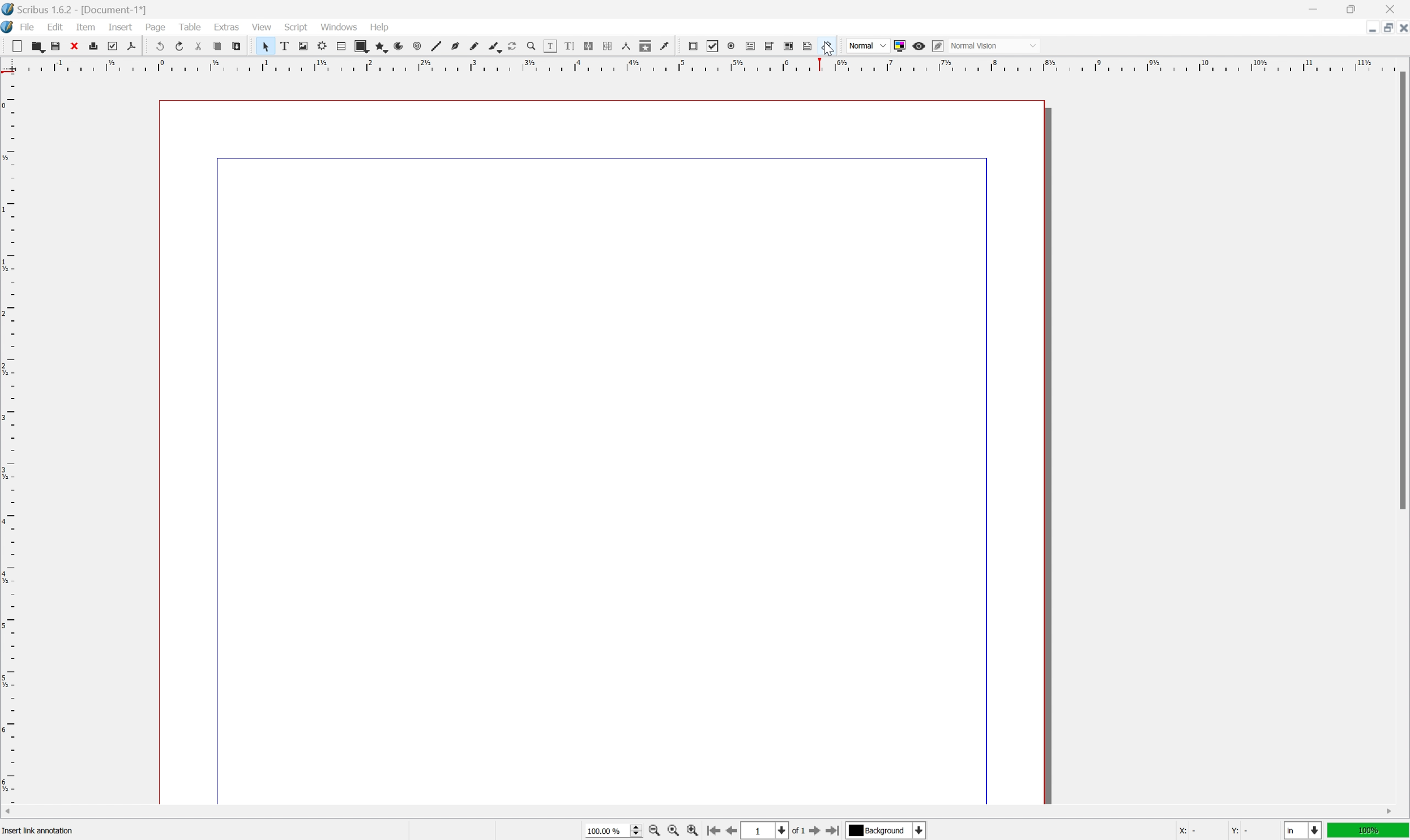 The height and width of the screenshot is (840, 1410). What do you see at coordinates (673, 831) in the screenshot?
I see `zoom to 100%` at bounding box center [673, 831].